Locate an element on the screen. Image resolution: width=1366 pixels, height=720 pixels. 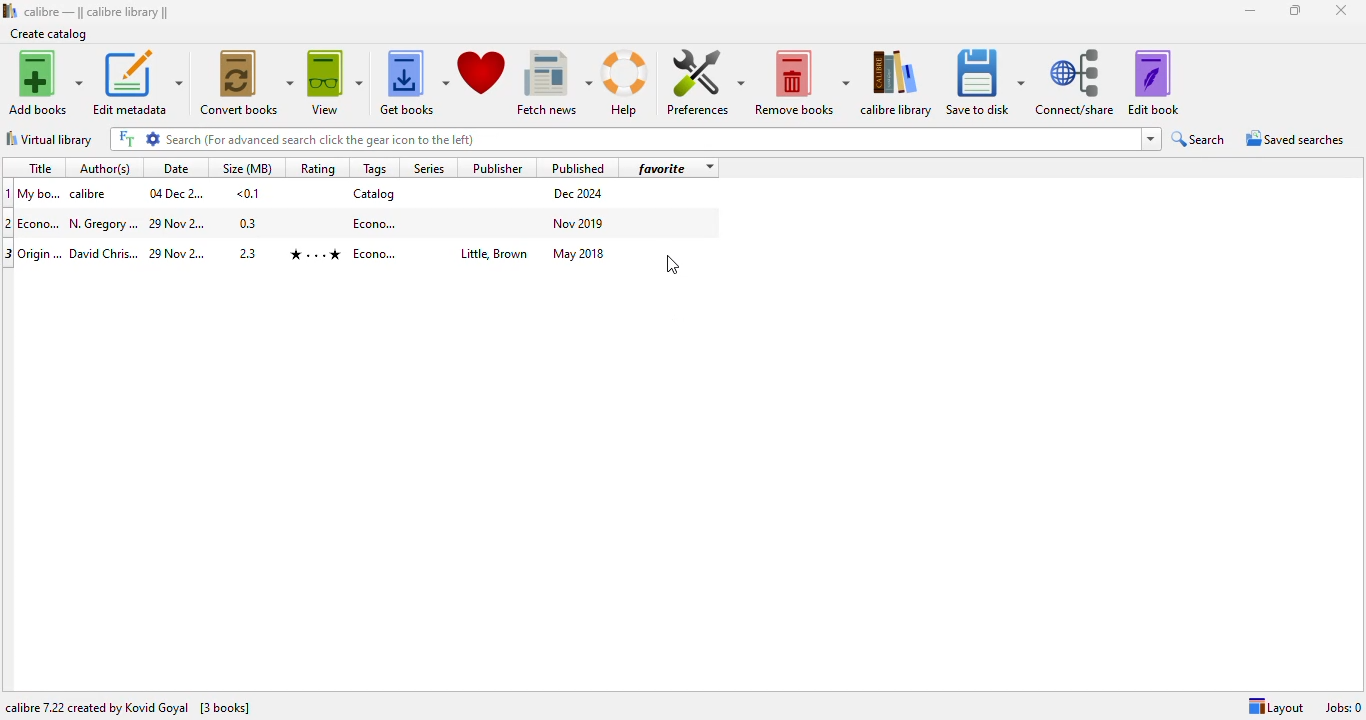
size is located at coordinates (250, 251).